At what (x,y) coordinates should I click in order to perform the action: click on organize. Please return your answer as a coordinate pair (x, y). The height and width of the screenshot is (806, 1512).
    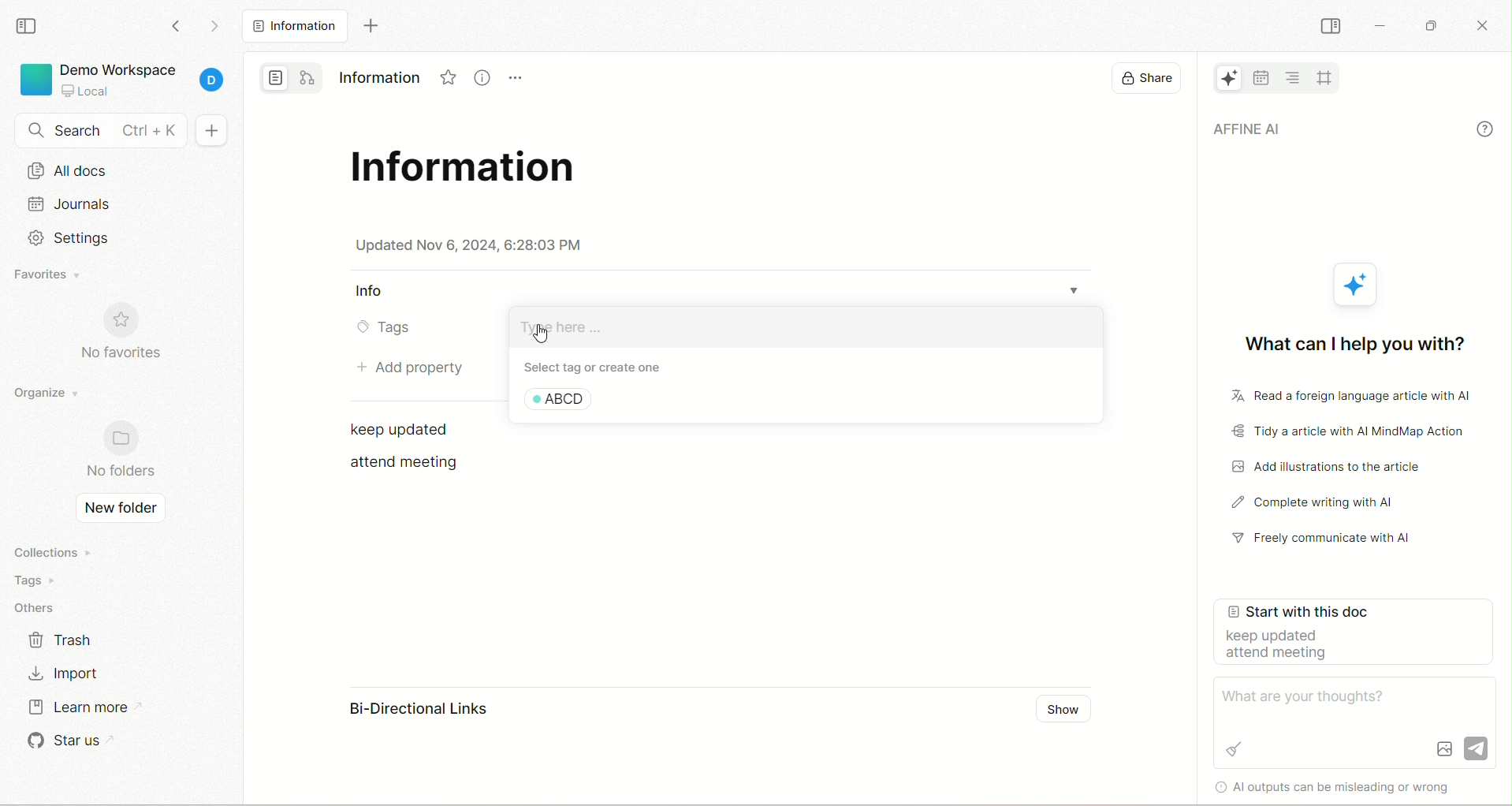
    Looking at the image, I should click on (45, 398).